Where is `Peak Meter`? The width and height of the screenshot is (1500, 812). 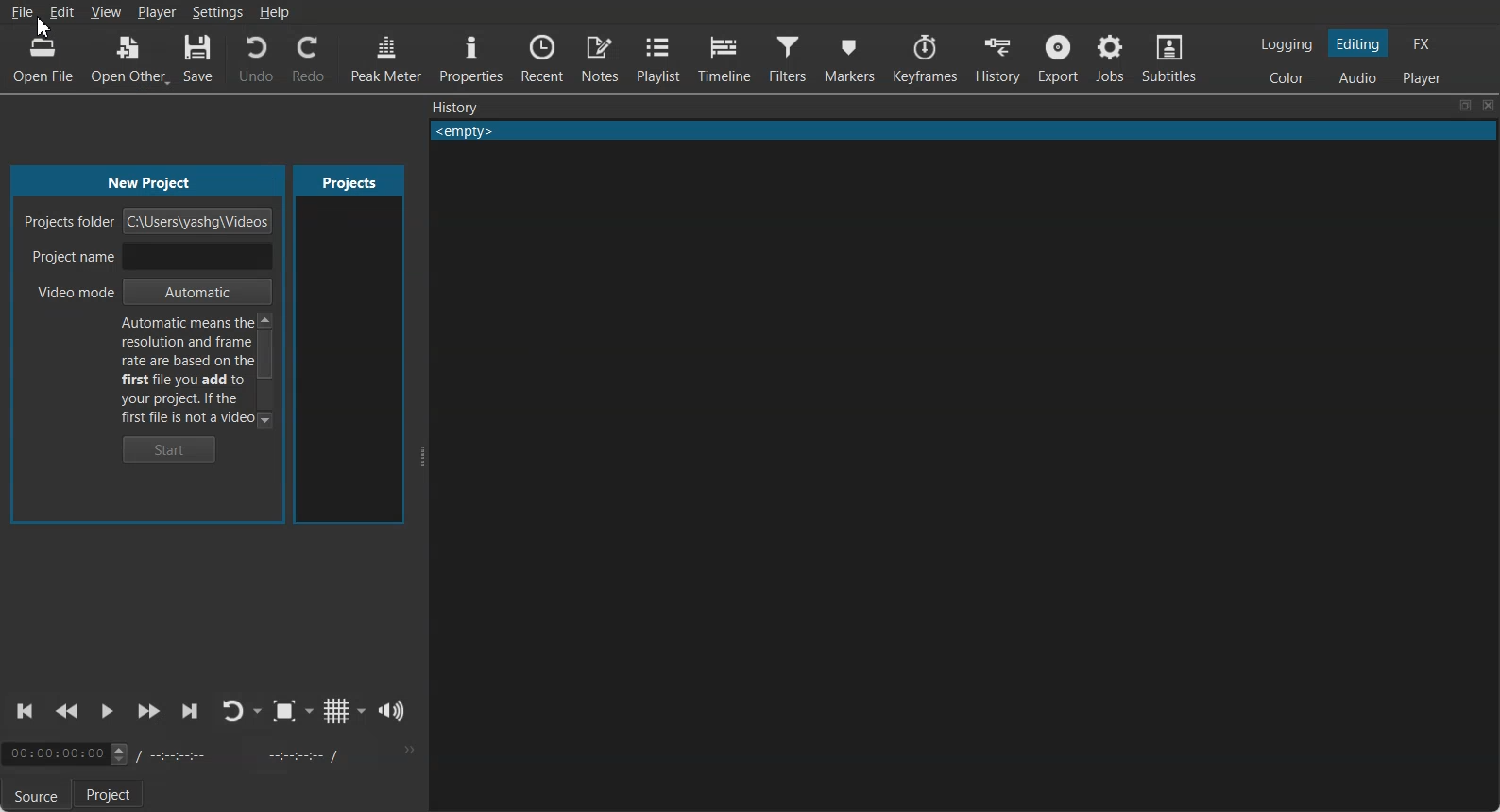 Peak Meter is located at coordinates (386, 57).